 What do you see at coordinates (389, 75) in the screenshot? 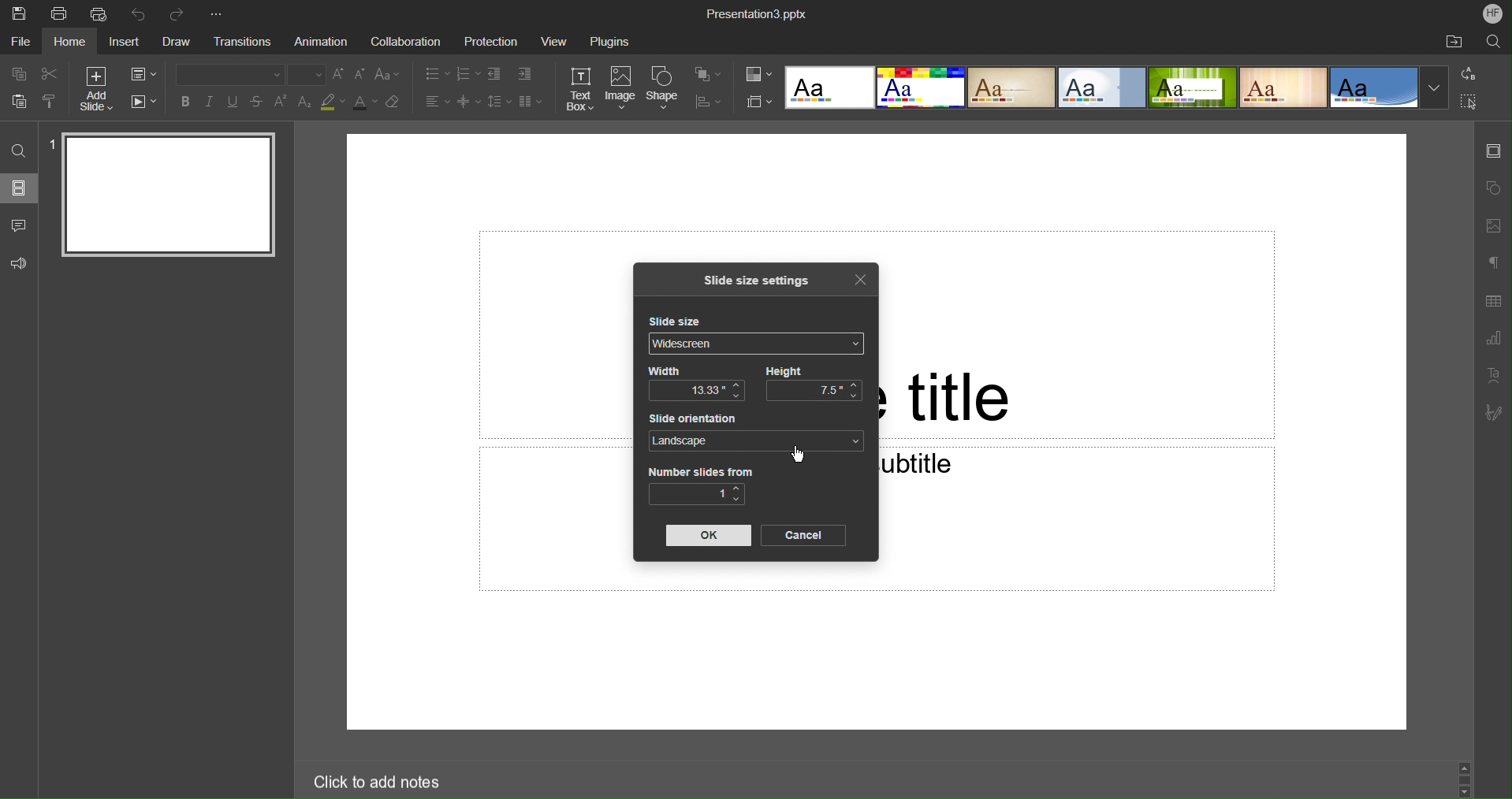
I see `Text Case` at bounding box center [389, 75].